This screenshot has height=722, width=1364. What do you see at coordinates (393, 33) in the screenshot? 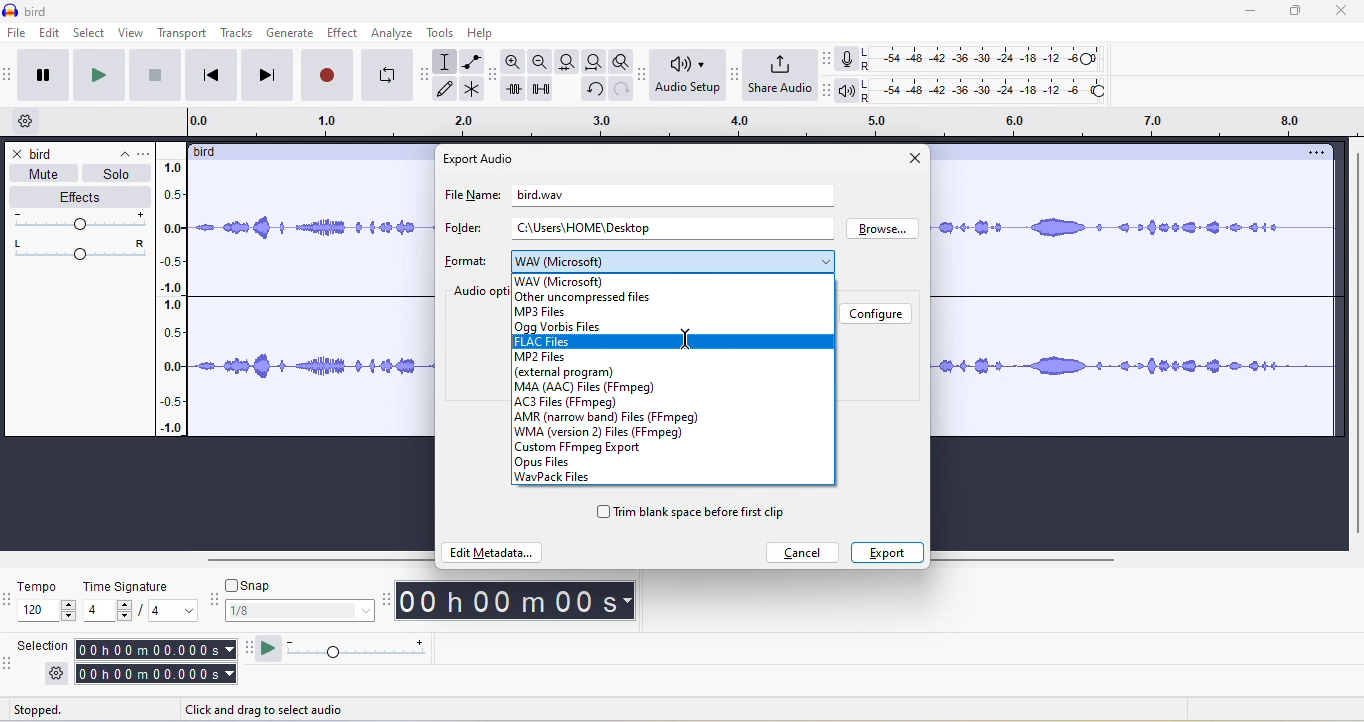
I see `analyze` at bounding box center [393, 33].